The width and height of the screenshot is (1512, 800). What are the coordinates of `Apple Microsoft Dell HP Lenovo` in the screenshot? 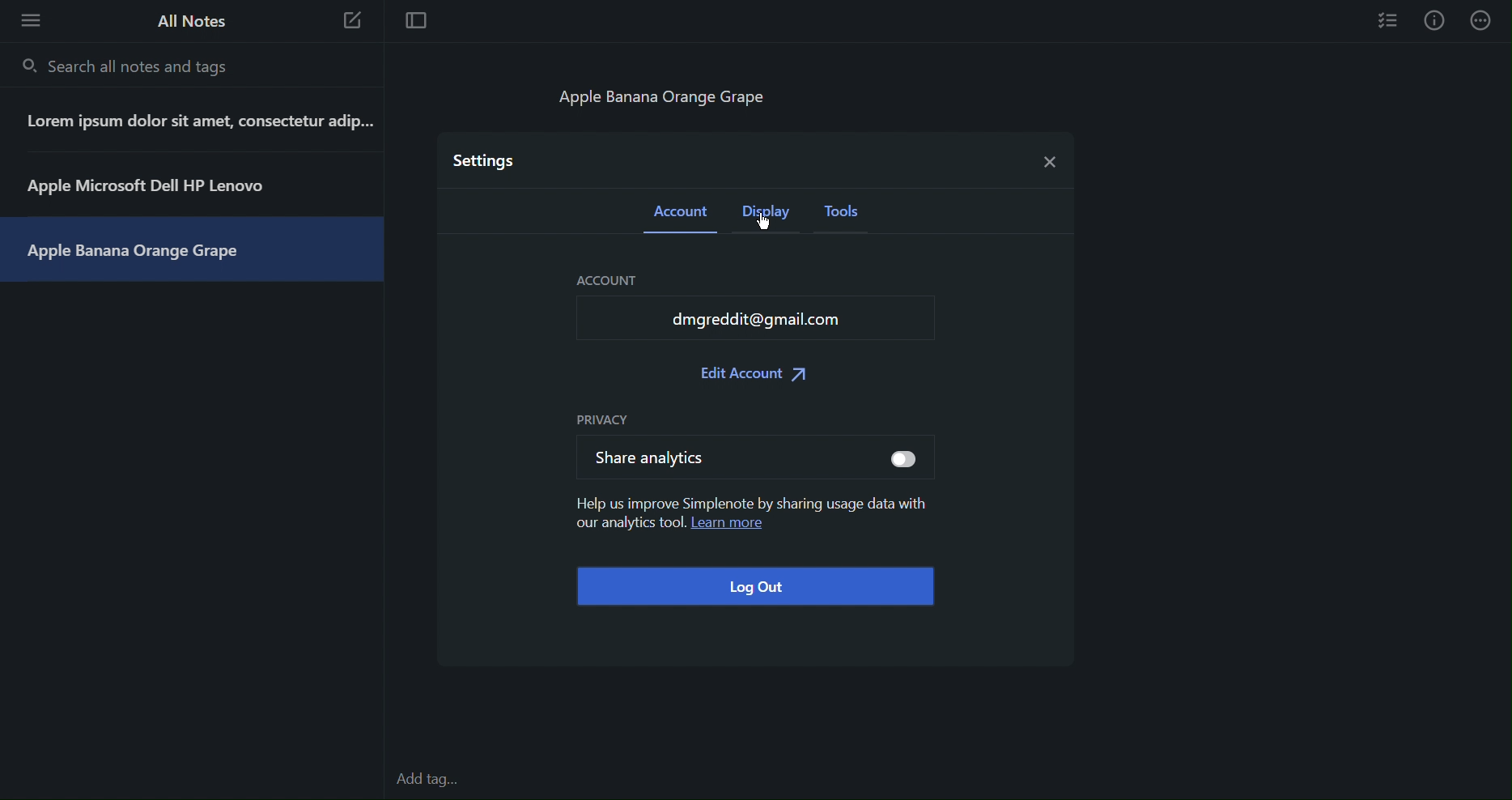 It's located at (150, 184).